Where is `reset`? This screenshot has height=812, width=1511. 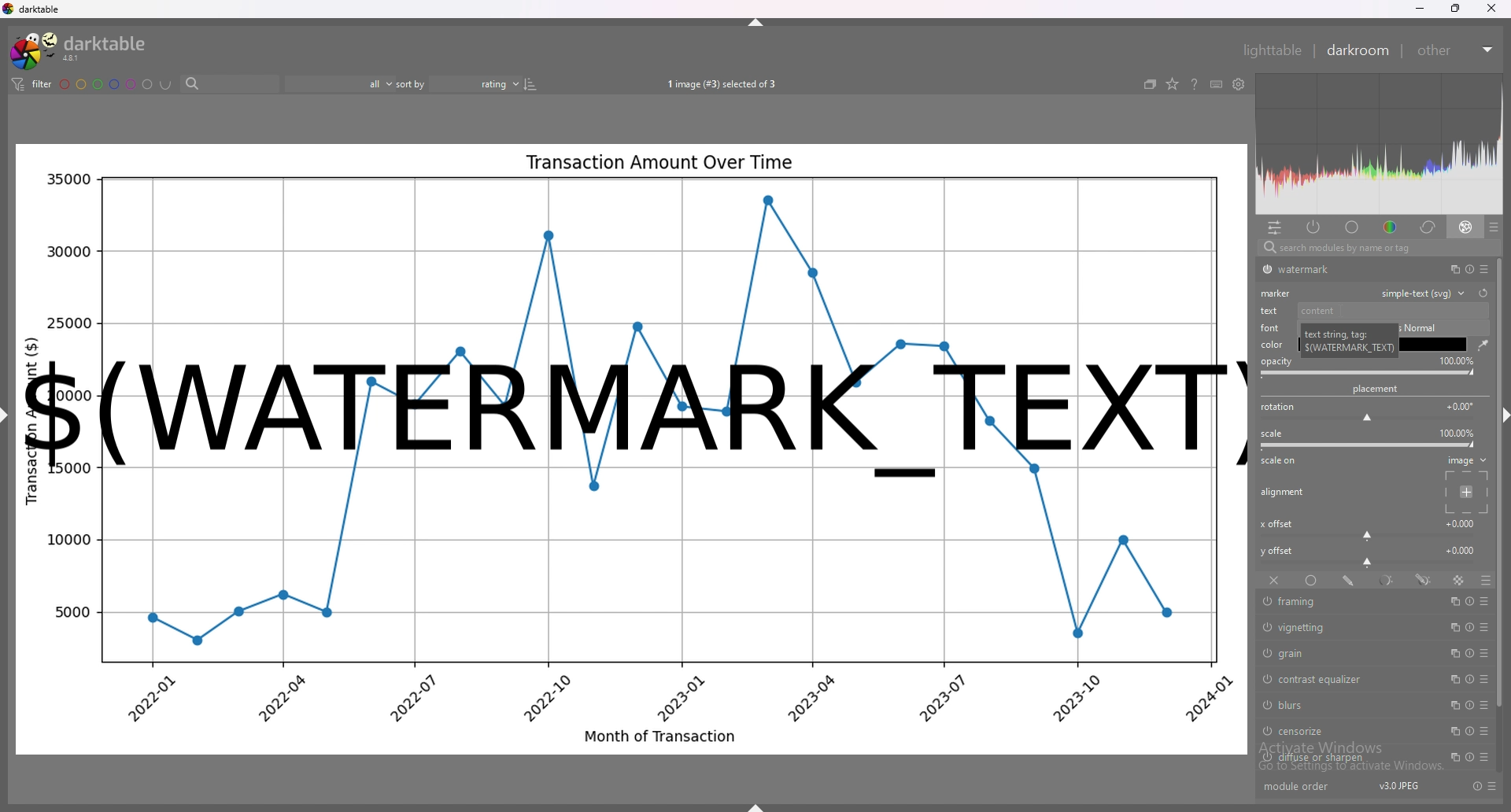 reset is located at coordinates (1467, 680).